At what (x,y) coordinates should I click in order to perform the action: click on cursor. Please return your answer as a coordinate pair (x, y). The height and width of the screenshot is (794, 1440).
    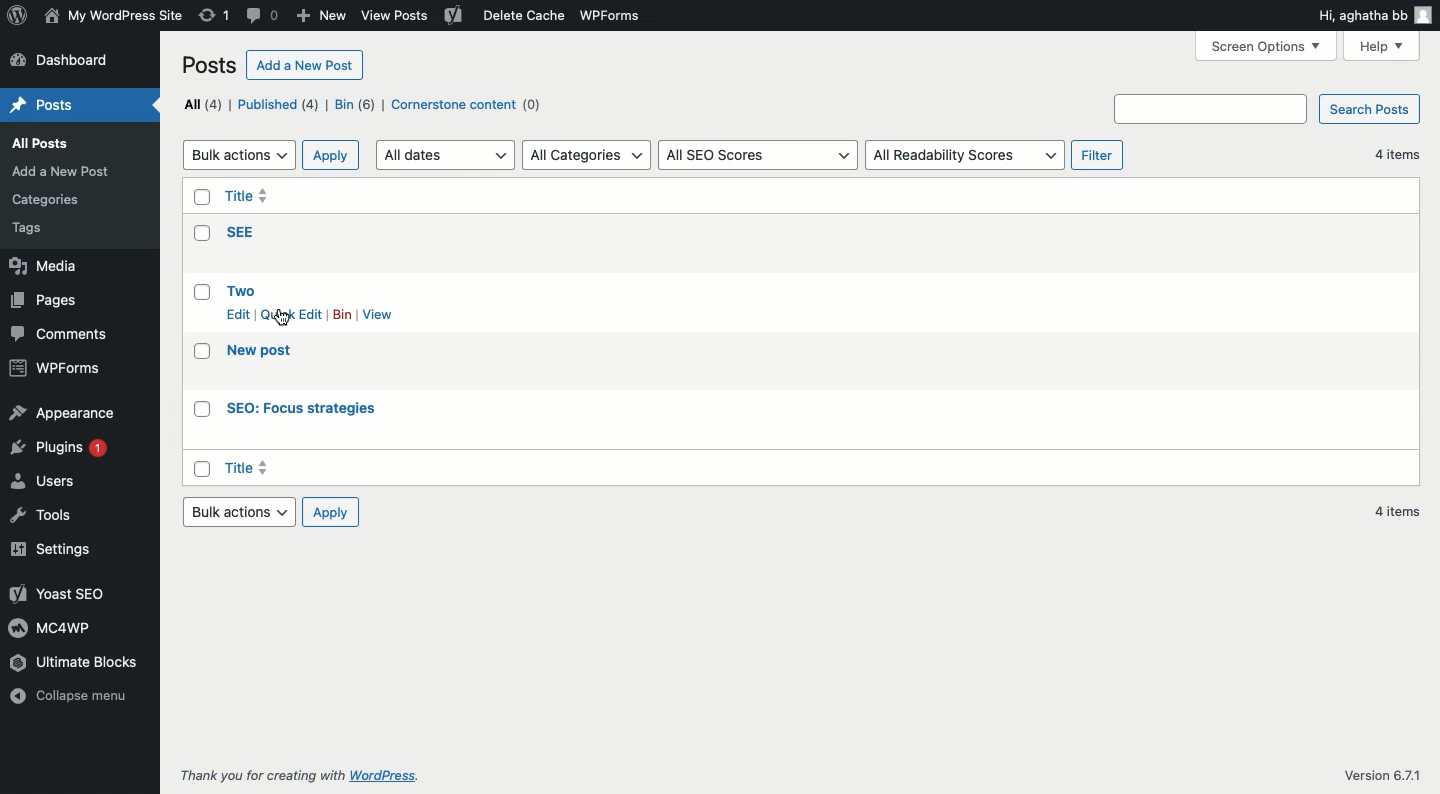
    Looking at the image, I should click on (283, 319).